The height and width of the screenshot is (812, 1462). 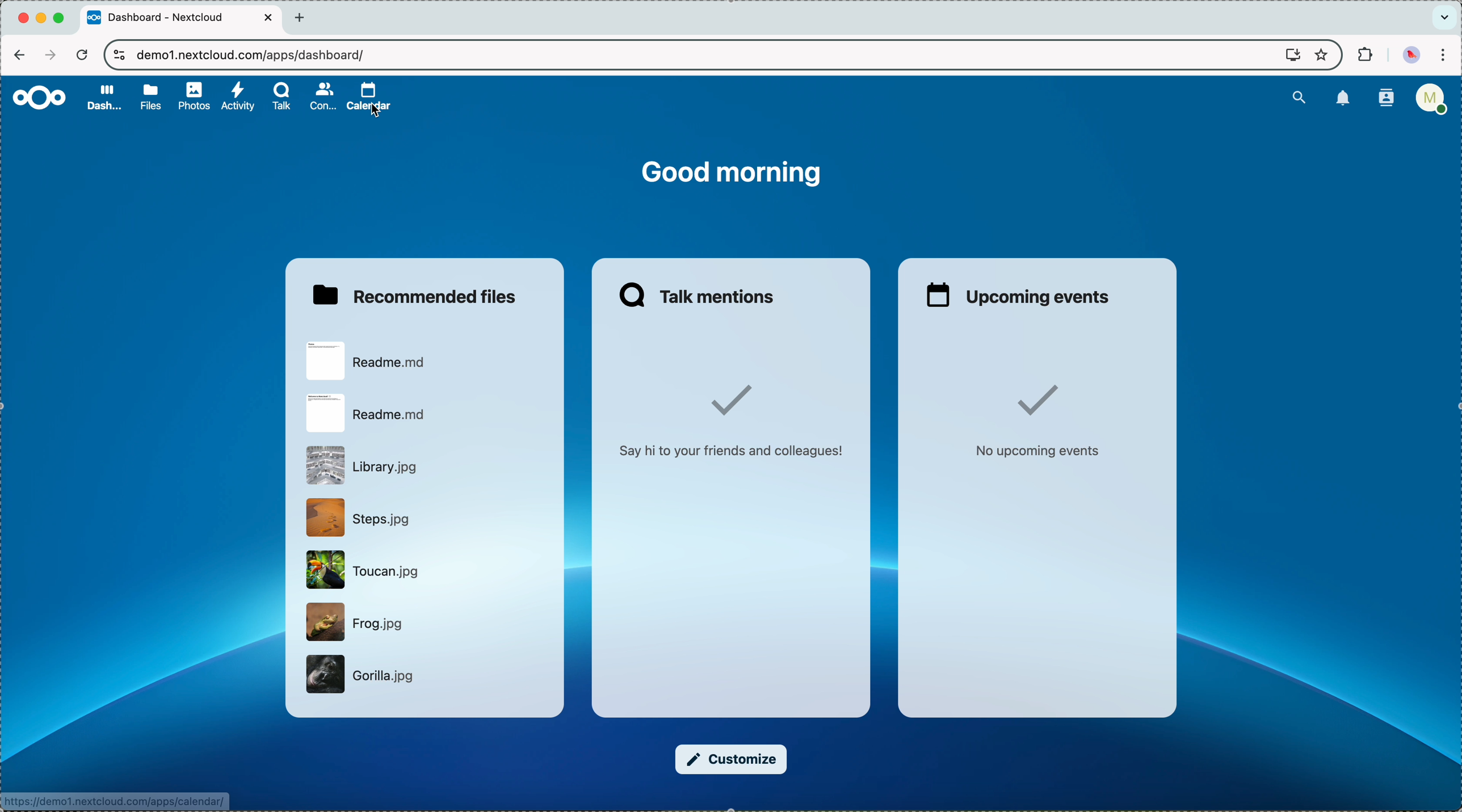 What do you see at coordinates (355, 622) in the screenshot?
I see `file` at bounding box center [355, 622].